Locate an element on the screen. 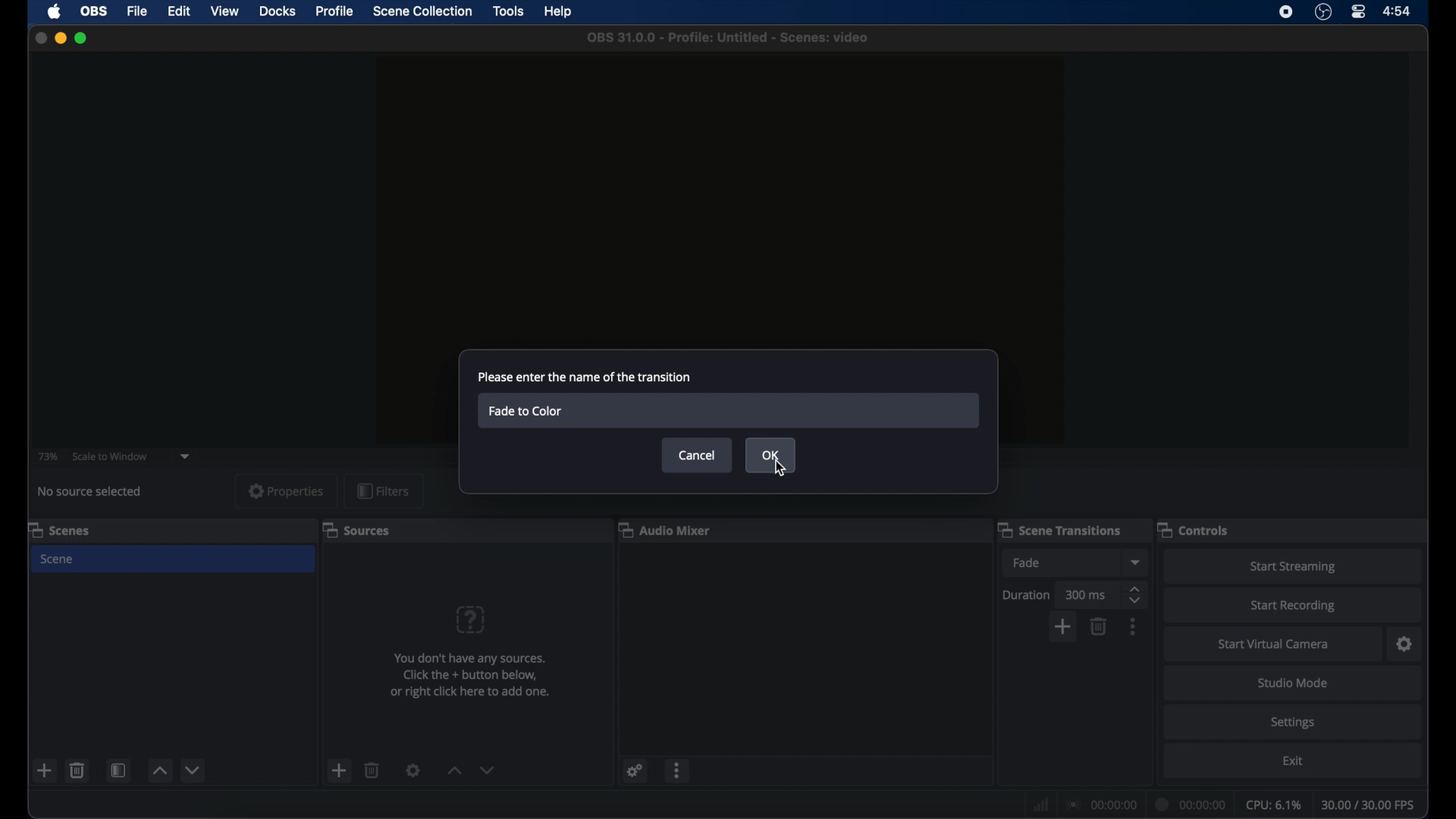 This screenshot has height=819, width=1456. audio mixer is located at coordinates (664, 529).